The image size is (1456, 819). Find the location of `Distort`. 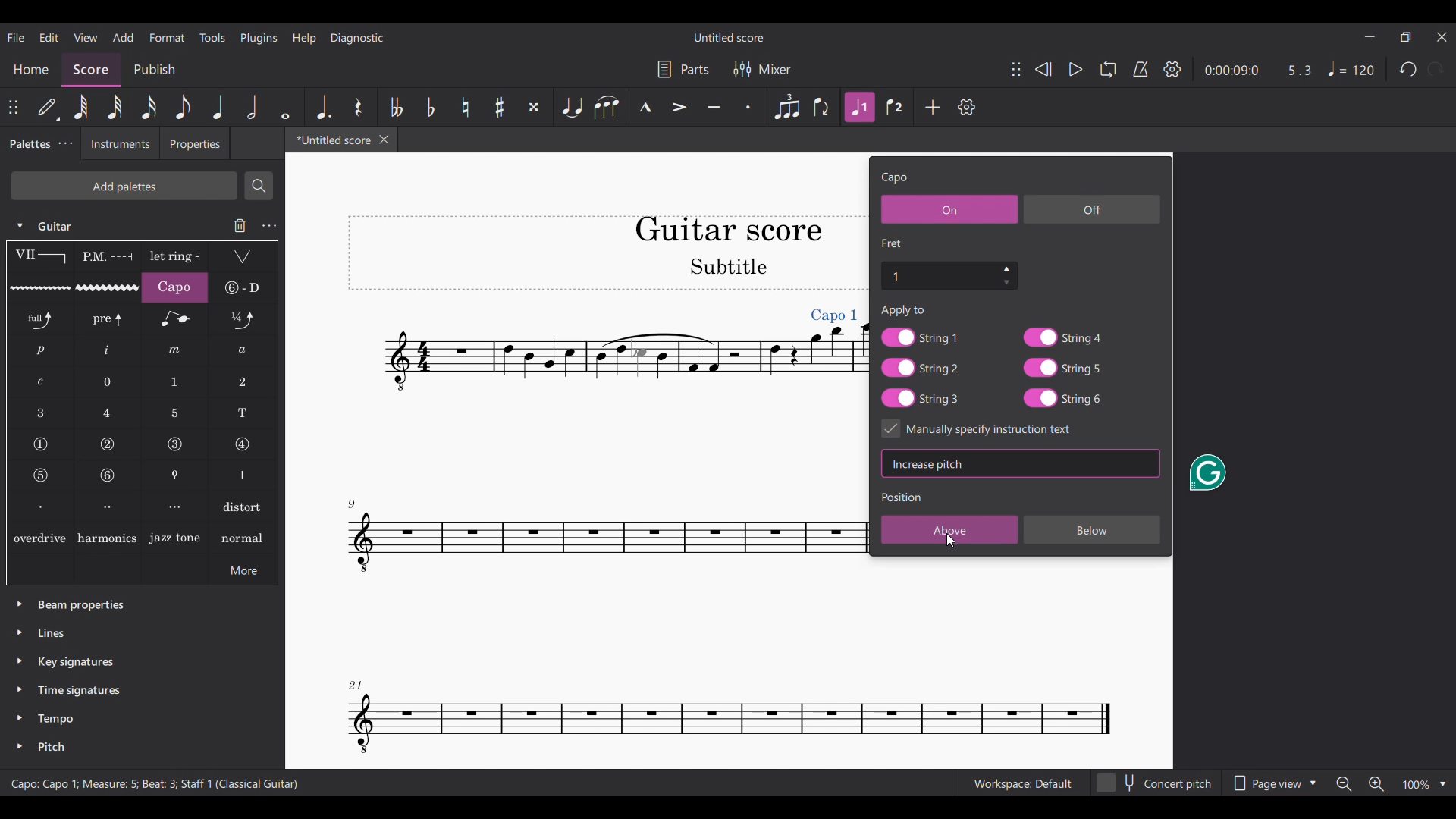

Distort is located at coordinates (244, 506).